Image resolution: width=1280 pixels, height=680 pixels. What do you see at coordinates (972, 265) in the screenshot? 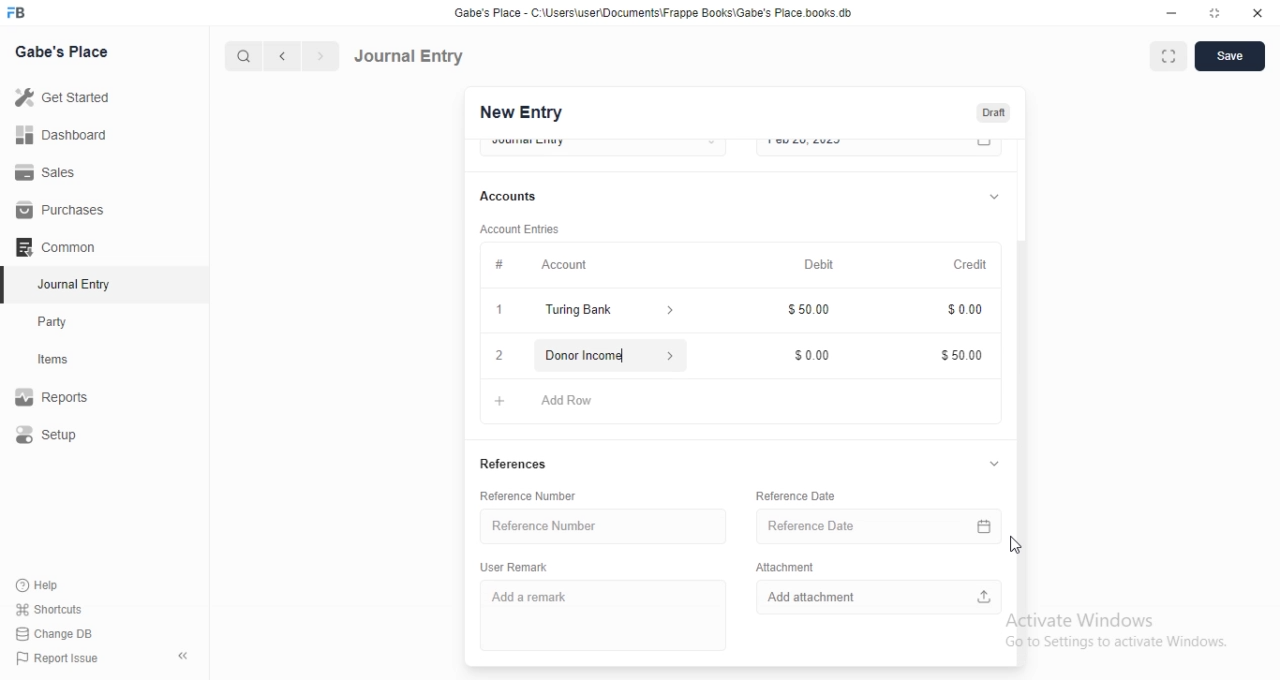
I see `Credit` at bounding box center [972, 265].